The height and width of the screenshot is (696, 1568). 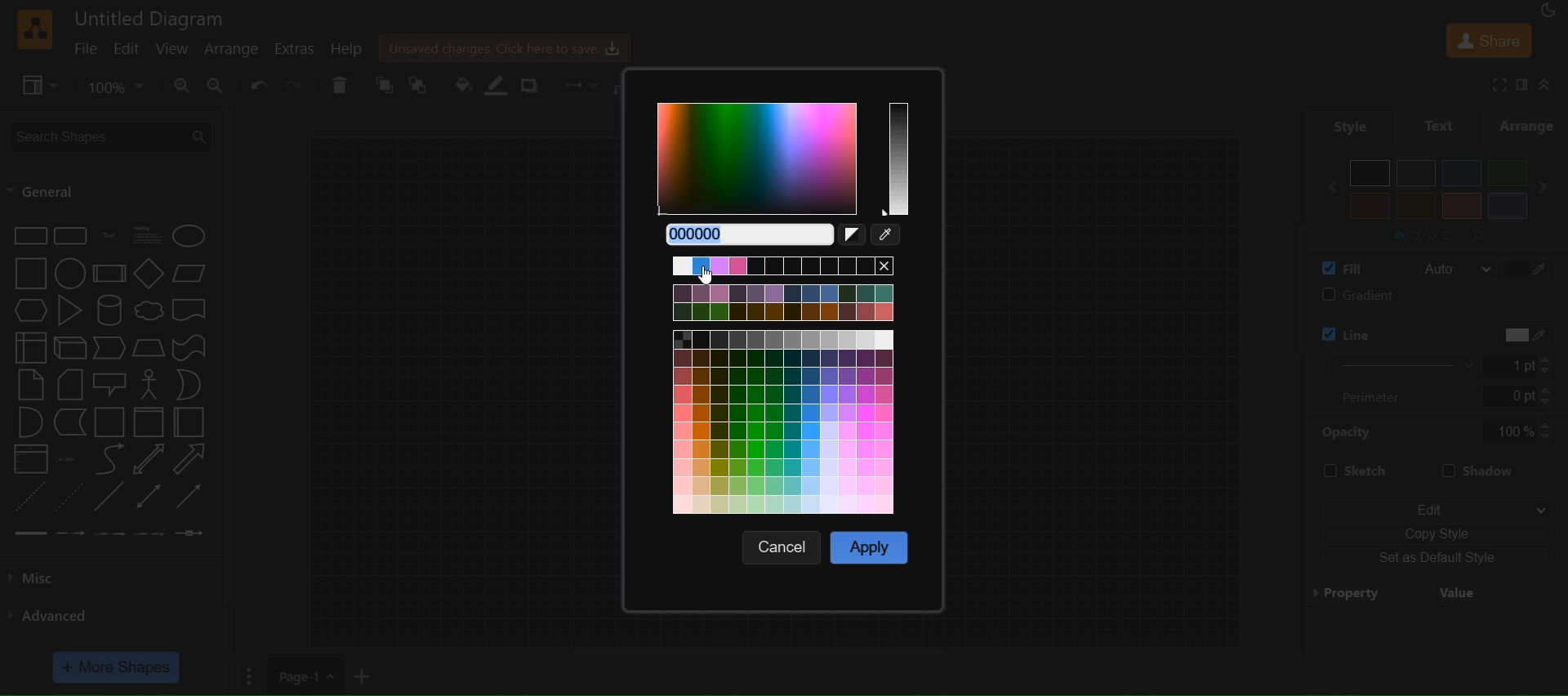 I want to click on fill color, so click(x=462, y=83).